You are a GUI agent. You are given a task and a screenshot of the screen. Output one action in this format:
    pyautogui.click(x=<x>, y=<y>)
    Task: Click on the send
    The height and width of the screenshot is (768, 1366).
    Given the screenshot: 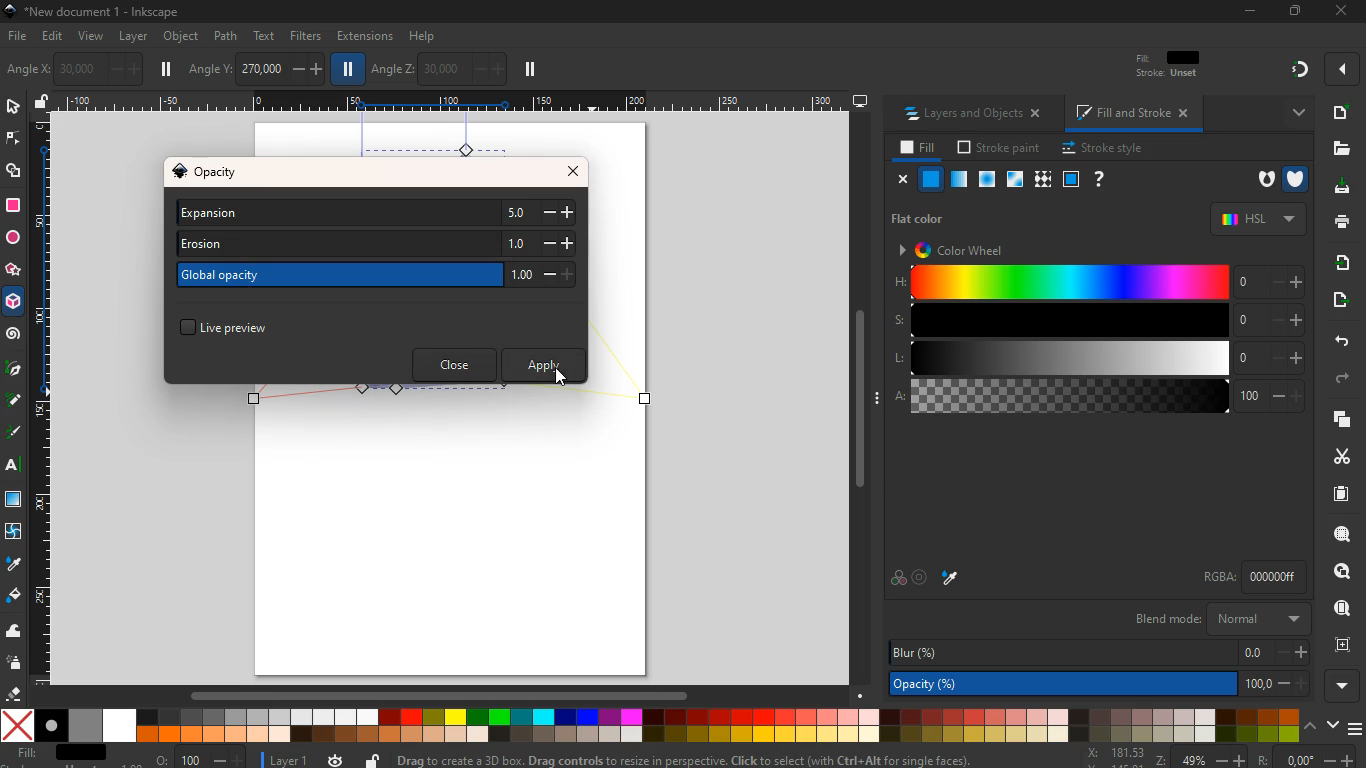 What is the action you would take?
    pyautogui.click(x=1335, y=300)
    